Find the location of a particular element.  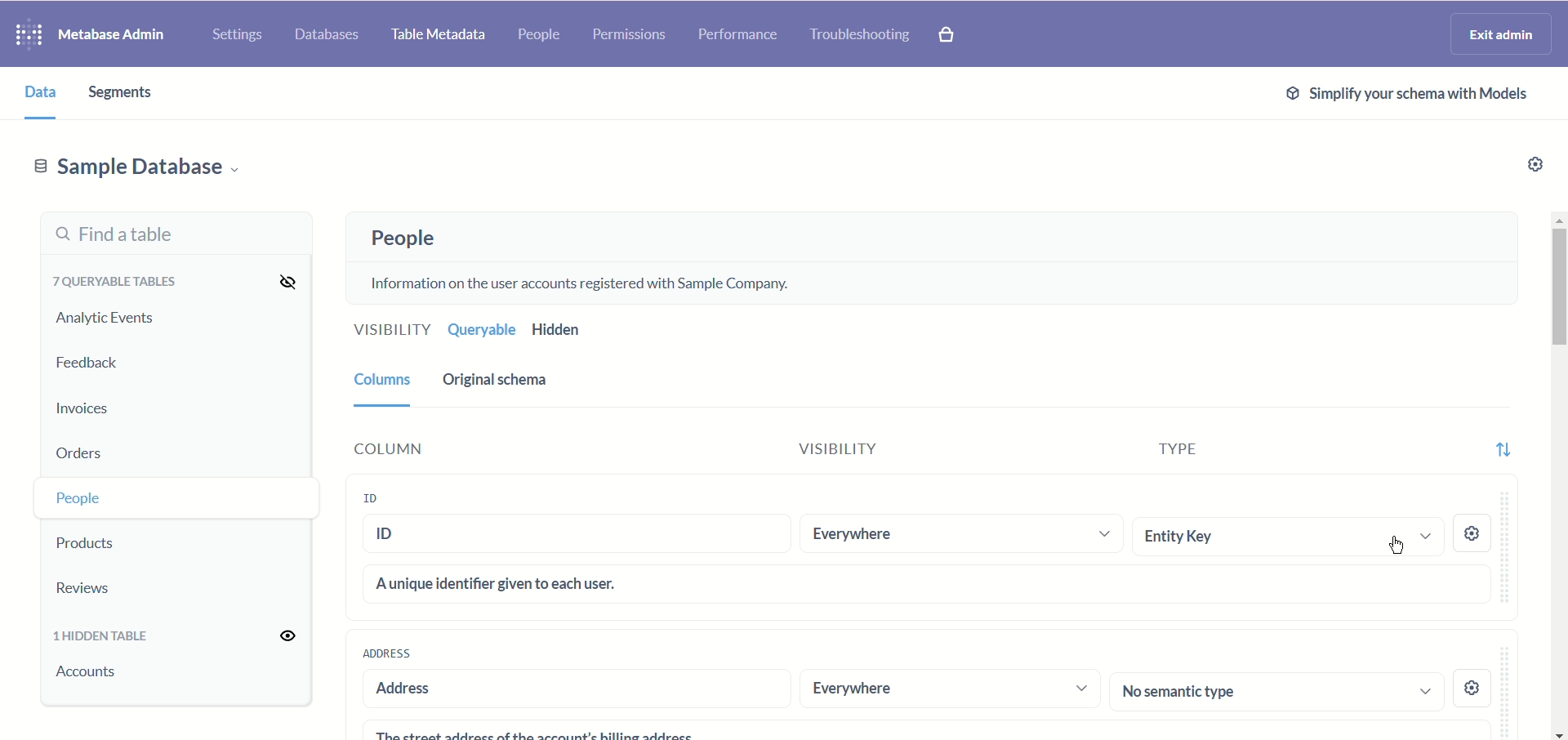

visibility is located at coordinates (862, 452).